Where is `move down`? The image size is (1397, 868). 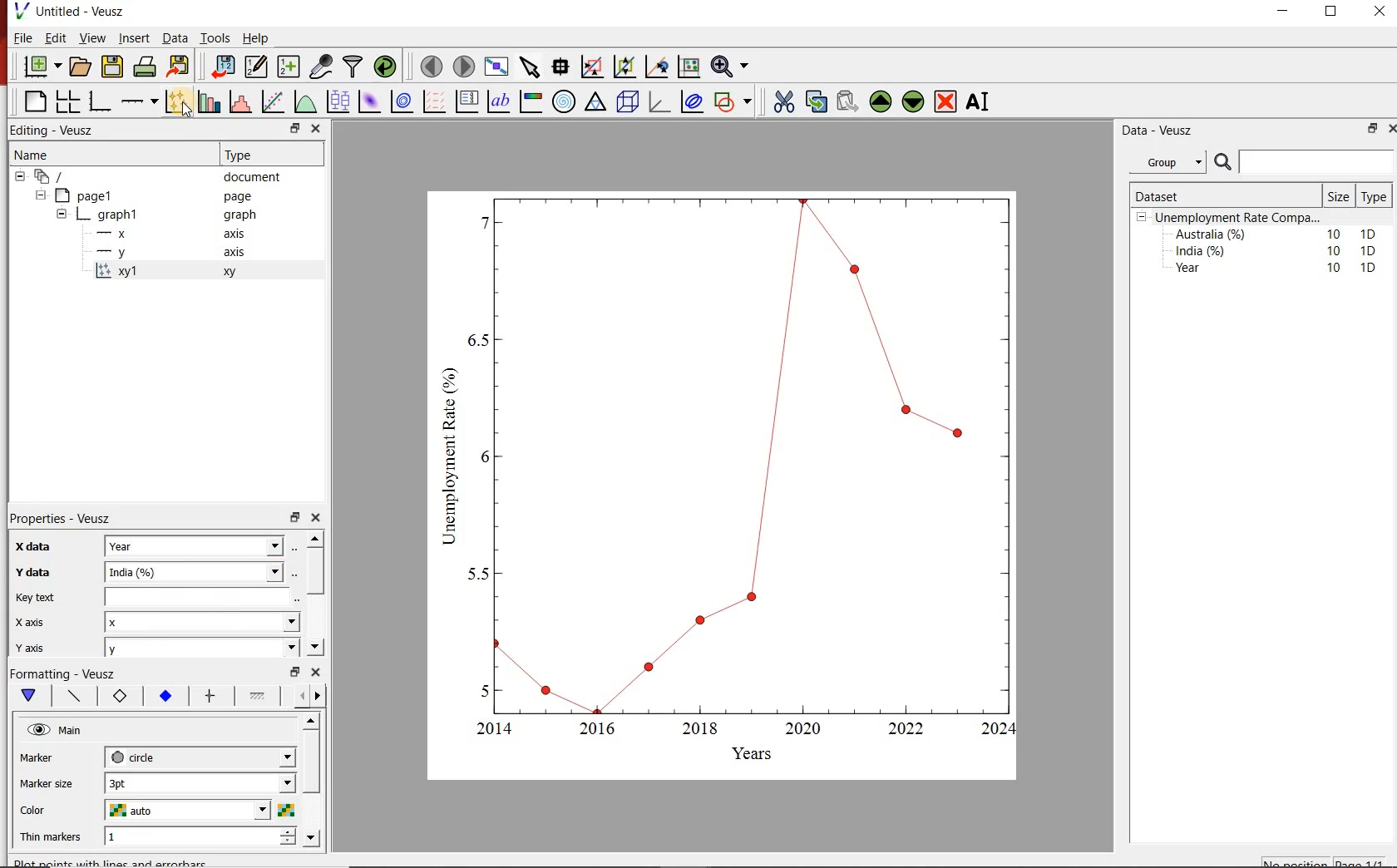
move down is located at coordinates (311, 838).